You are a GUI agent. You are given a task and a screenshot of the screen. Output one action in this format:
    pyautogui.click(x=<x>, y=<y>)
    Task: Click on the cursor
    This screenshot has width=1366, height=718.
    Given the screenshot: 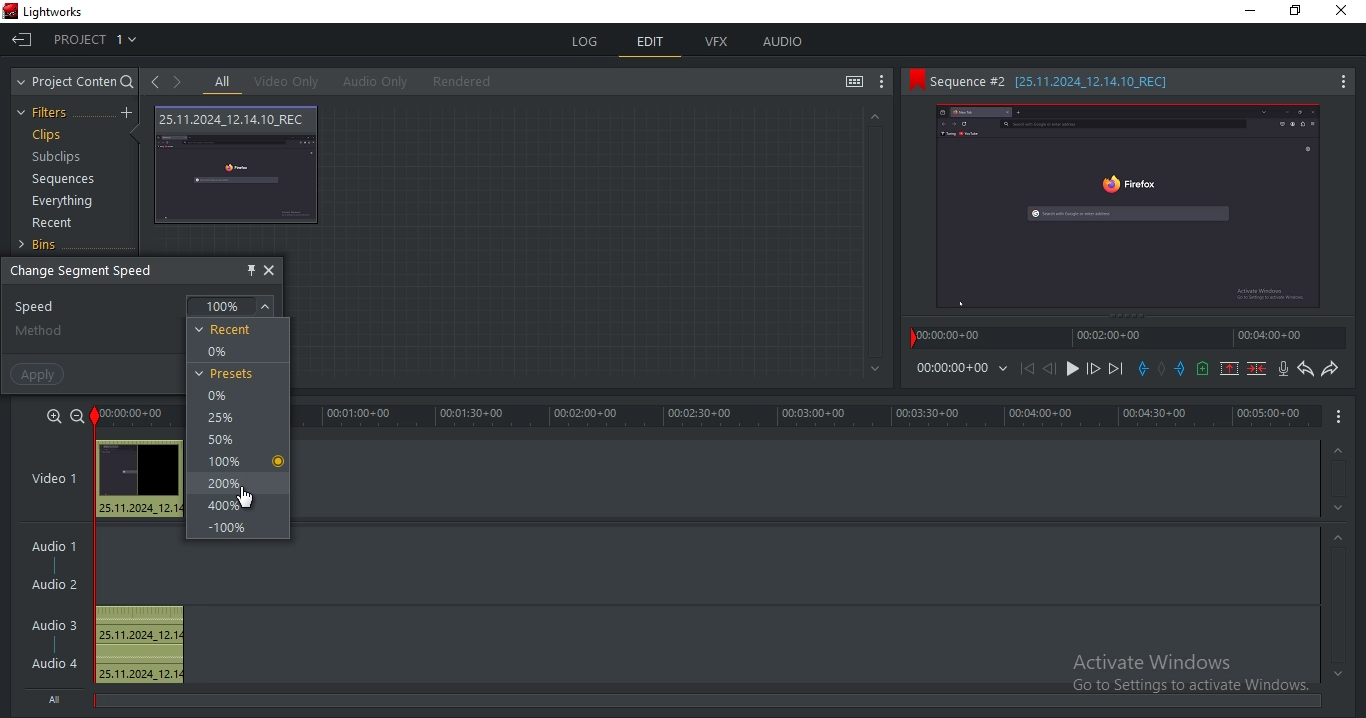 What is the action you would take?
    pyautogui.click(x=245, y=499)
    